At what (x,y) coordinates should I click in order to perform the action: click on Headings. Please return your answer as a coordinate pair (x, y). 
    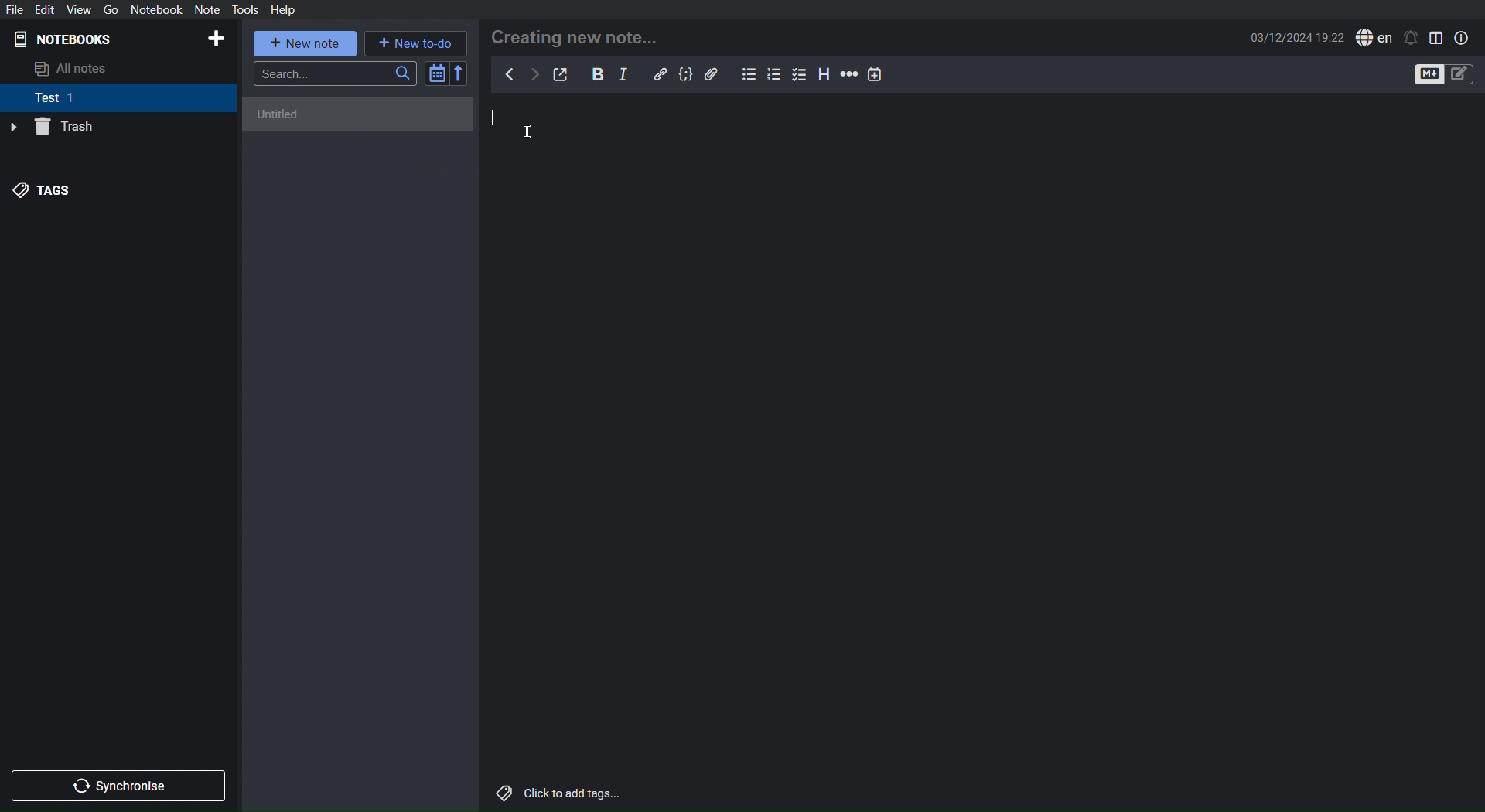
    Looking at the image, I should click on (825, 74).